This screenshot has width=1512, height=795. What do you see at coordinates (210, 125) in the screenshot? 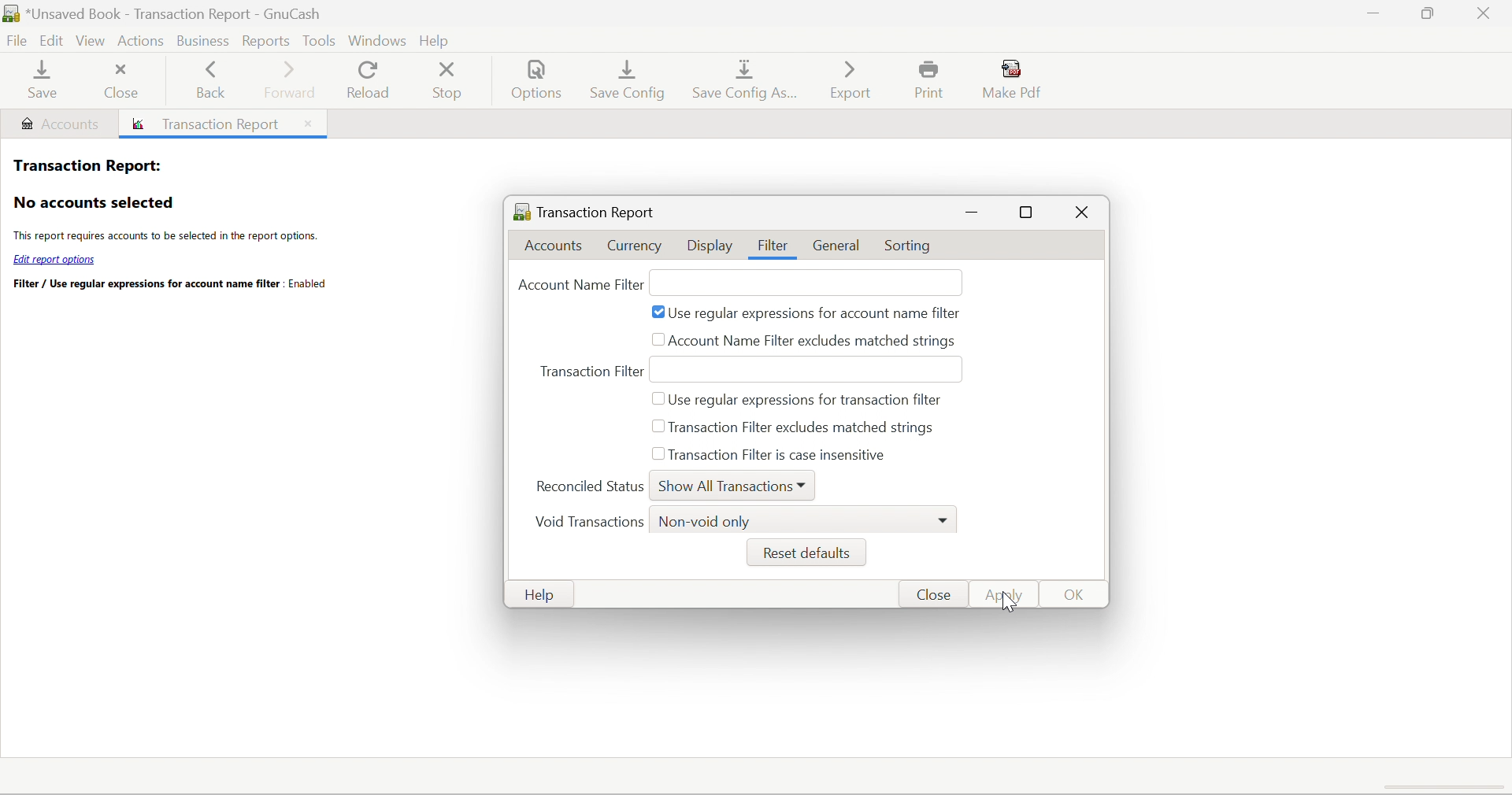
I see `Transaction report` at bounding box center [210, 125].